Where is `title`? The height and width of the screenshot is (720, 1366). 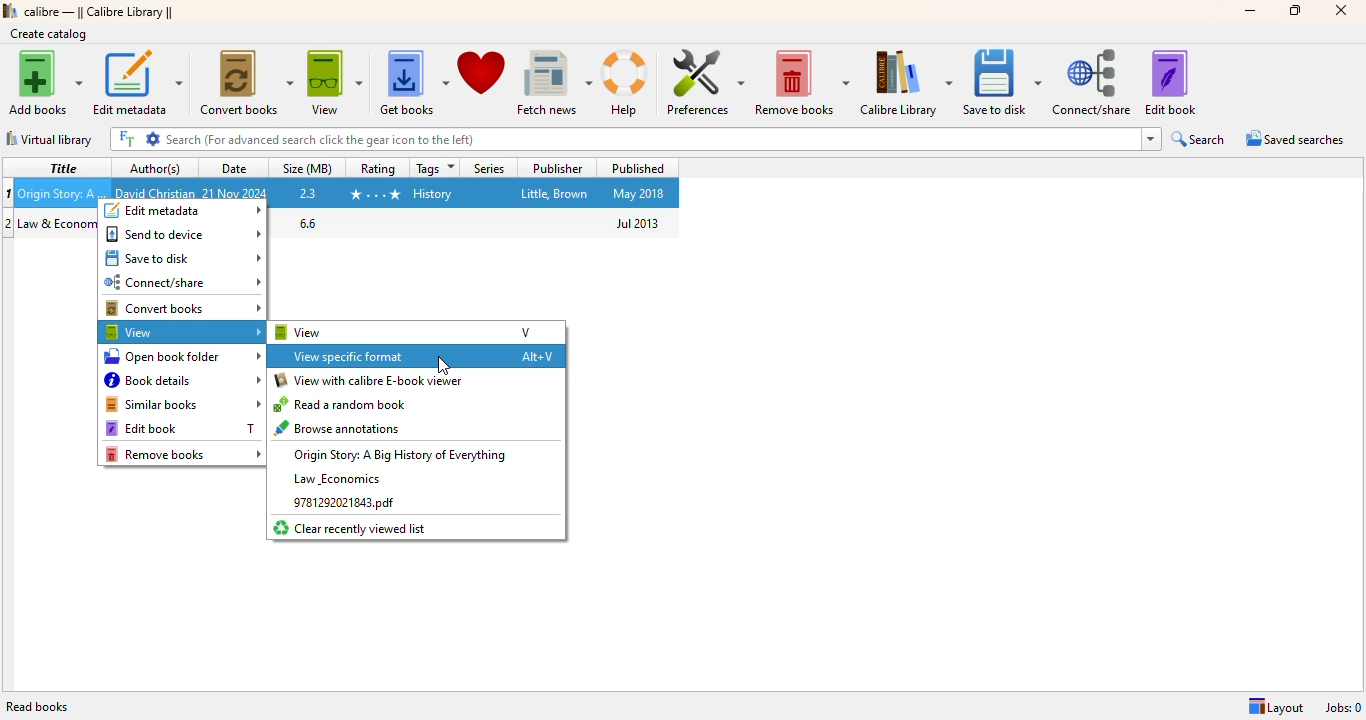
title is located at coordinates (61, 167).